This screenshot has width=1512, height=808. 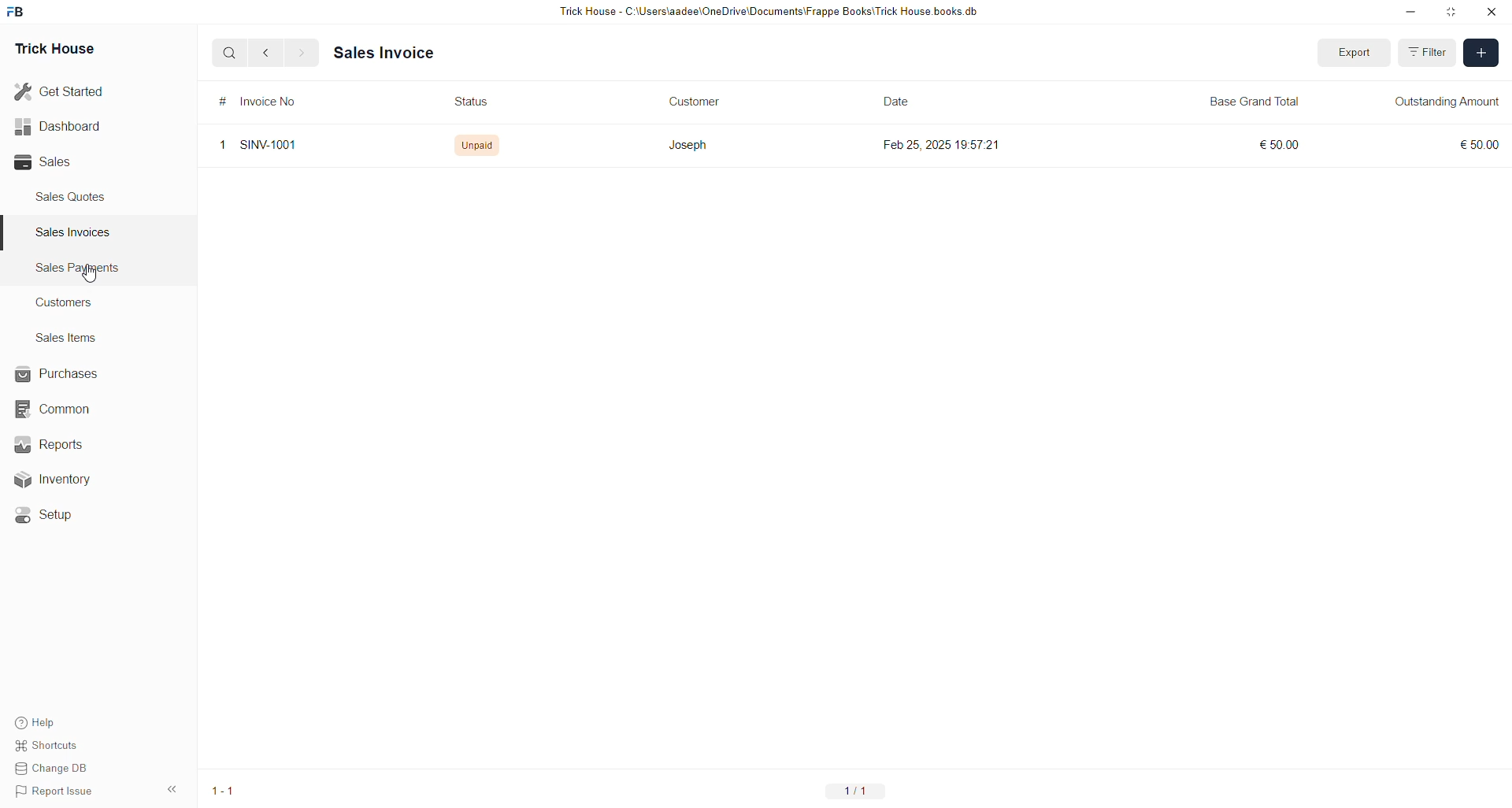 What do you see at coordinates (272, 146) in the screenshot?
I see `SINV-1001` at bounding box center [272, 146].